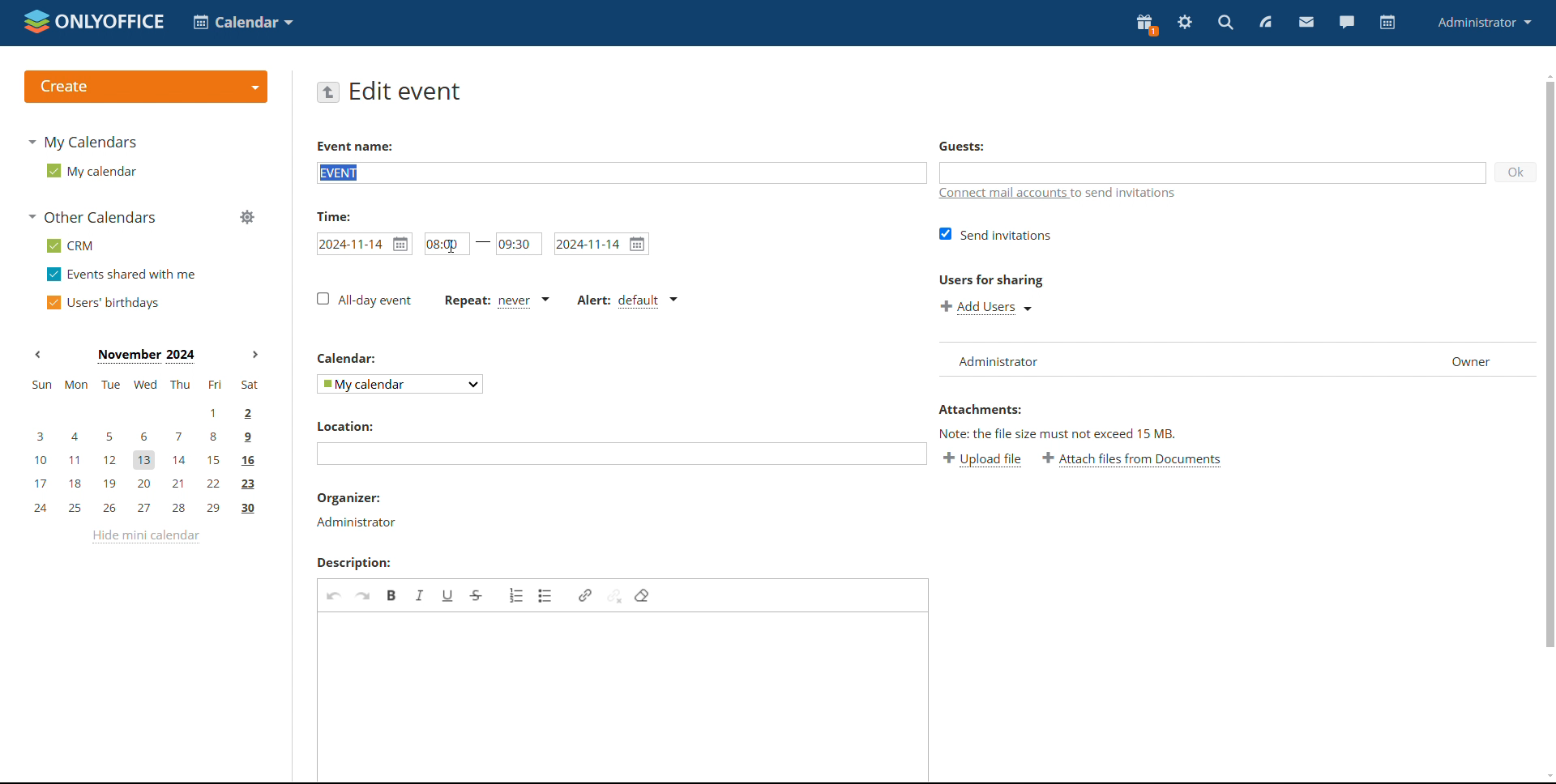  I want to click on manage, so click(246, 218).